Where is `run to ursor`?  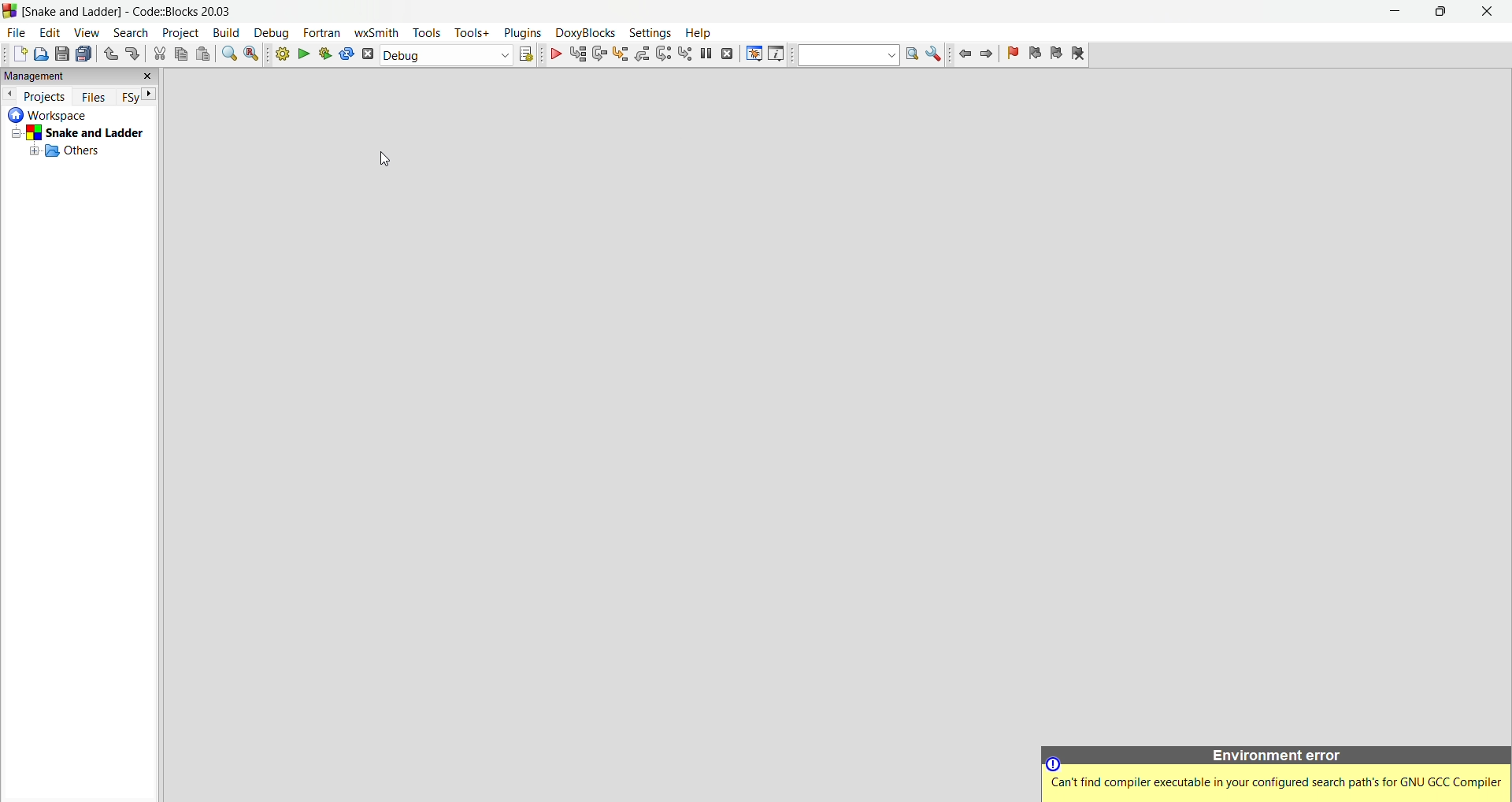
run to ursor is located at coordinates (580, 54).